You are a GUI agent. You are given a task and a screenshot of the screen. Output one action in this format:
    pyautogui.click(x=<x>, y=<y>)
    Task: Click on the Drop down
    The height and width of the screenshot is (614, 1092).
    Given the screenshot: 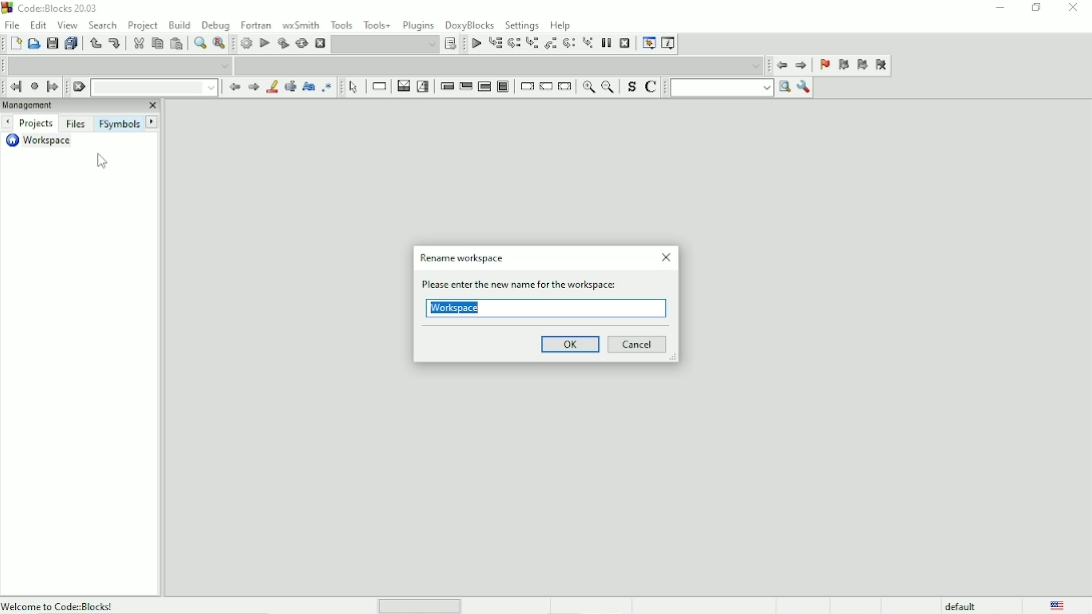 What is the action you would take?
    pyautogui.click(x=157, y=88)
    